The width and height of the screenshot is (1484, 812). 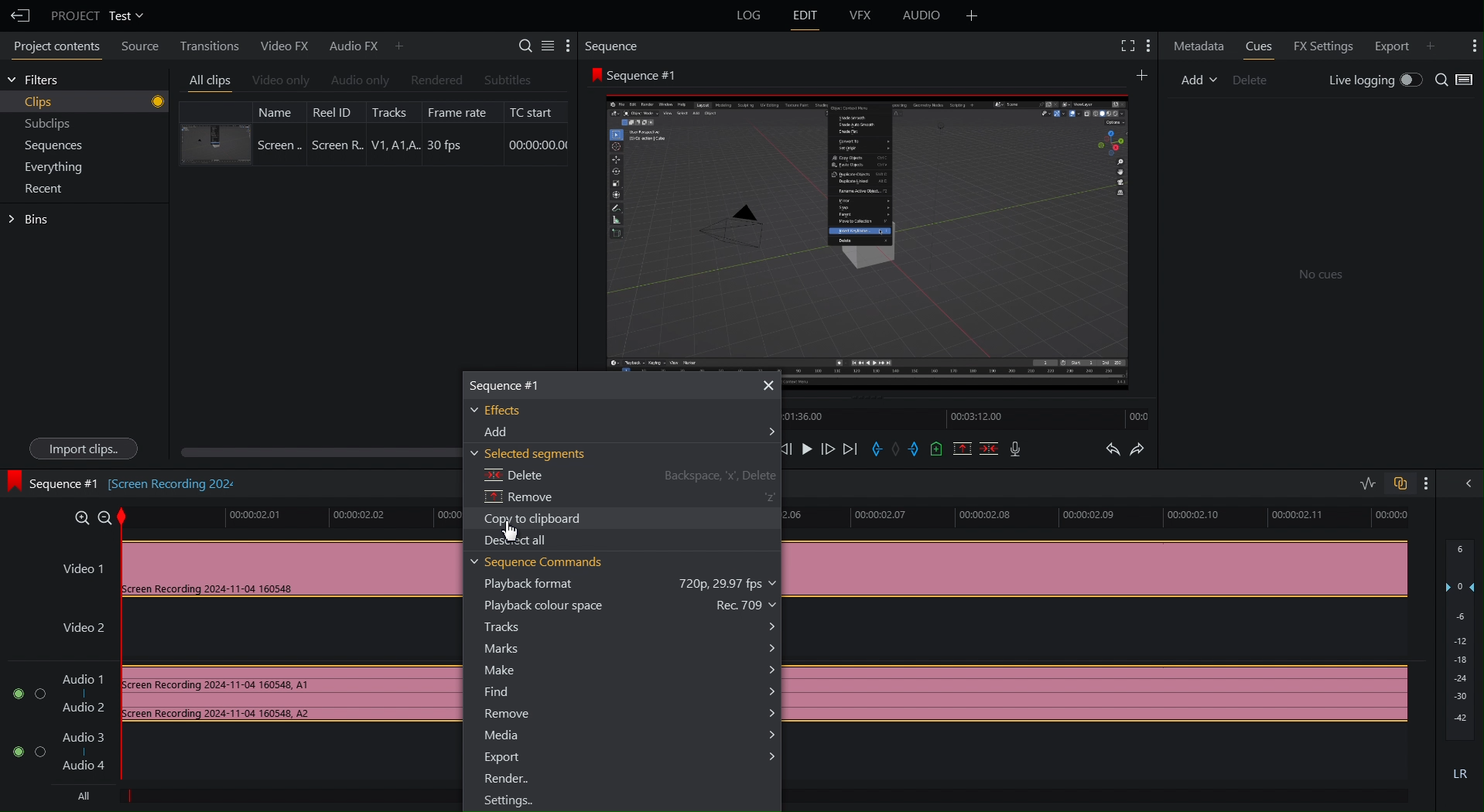 What do you see at coordinates (970, 16) in the screenshot?
I see `Add` at bounding box center [970, 16].